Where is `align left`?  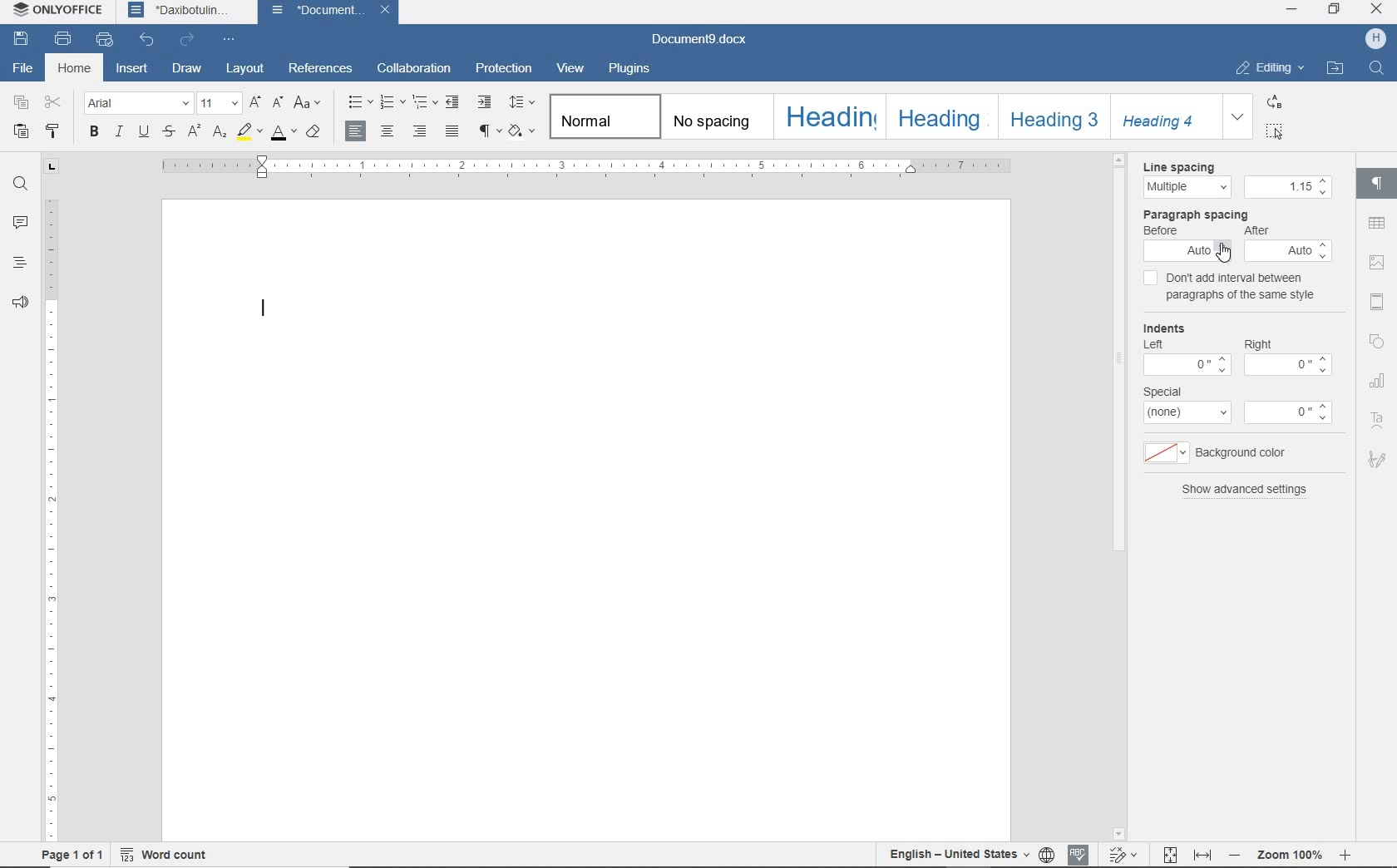
align left is located at coordinates (420, 131).